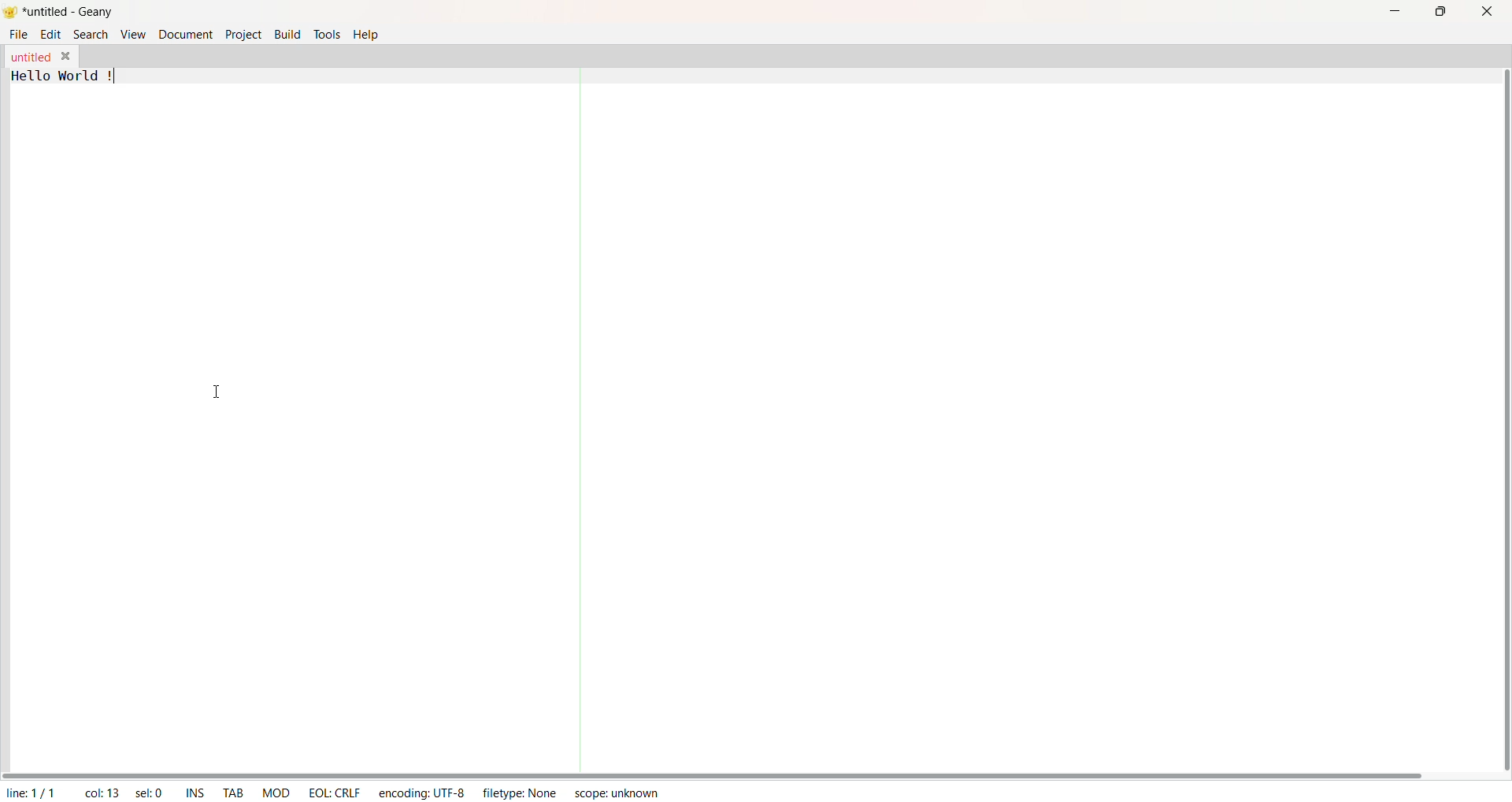  Describe the element at coordinates (724, 770) in the screenshot. I see `Horizontal Scroll Bar` at that location.